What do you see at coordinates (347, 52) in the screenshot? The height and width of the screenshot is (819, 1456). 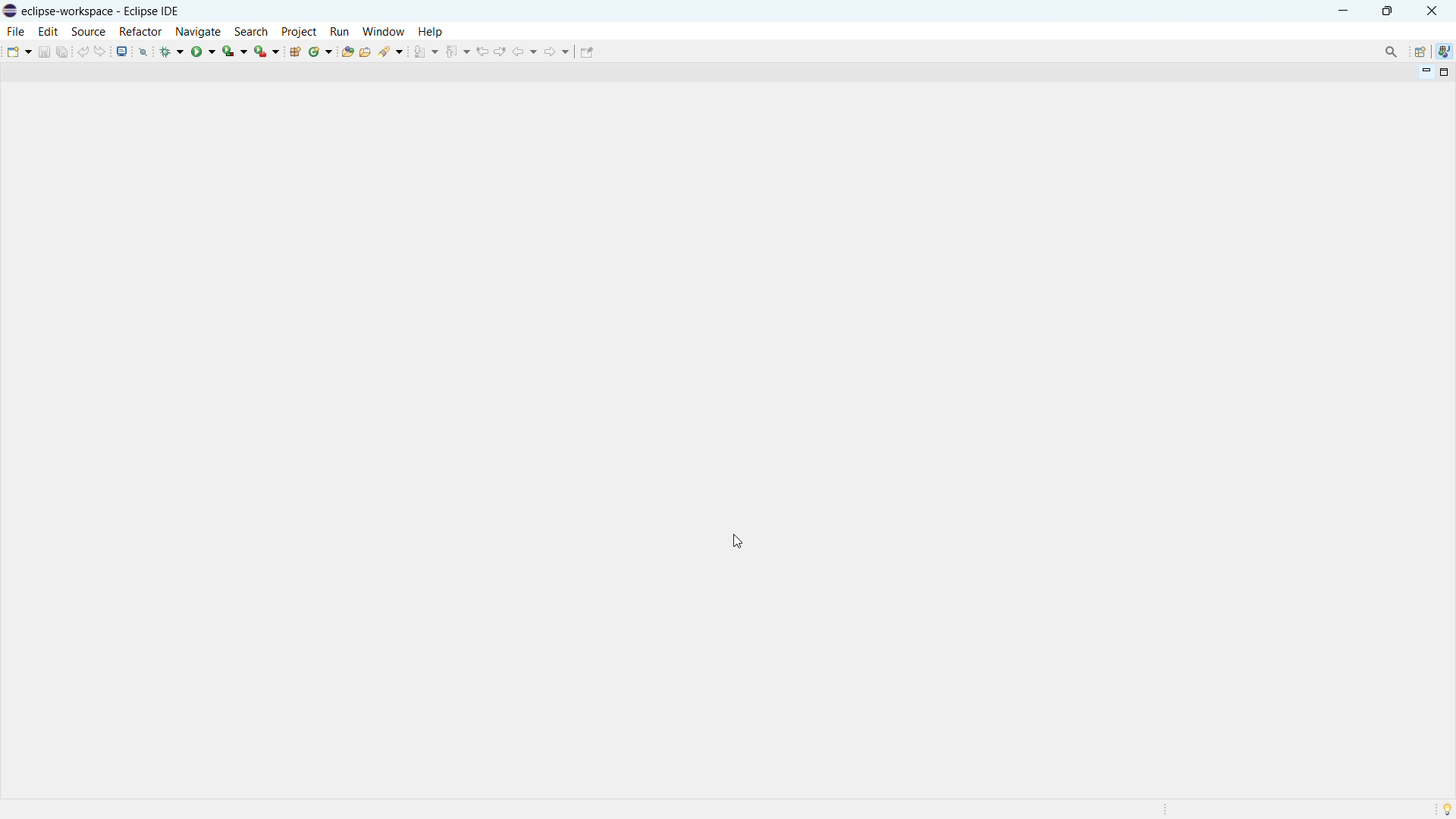 I see `open type` at bounding box center [347, 52].